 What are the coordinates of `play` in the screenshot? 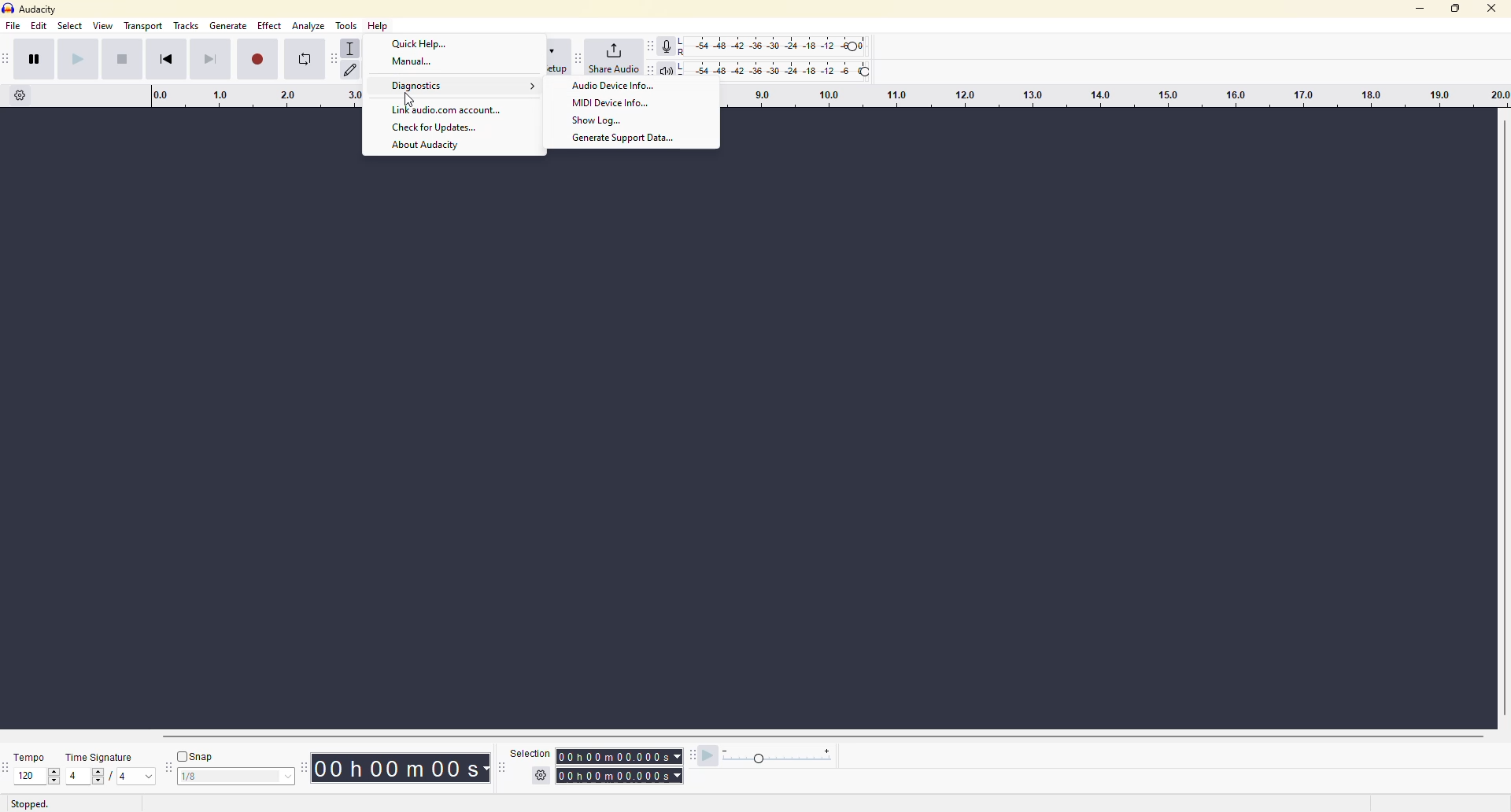 It's located at (80, 62).